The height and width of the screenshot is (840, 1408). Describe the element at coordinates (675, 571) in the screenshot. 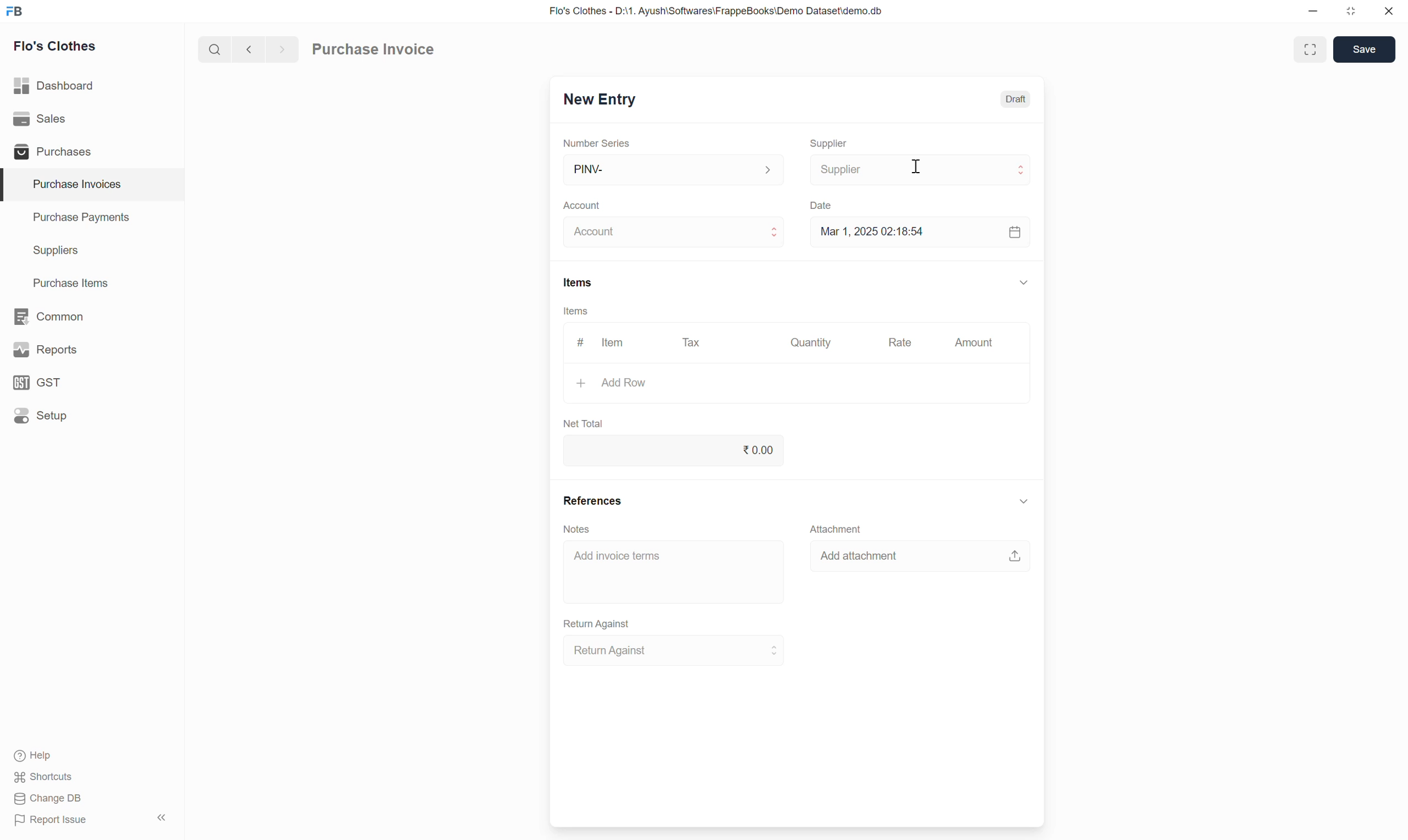

I see `Add invoice terms` at that location.